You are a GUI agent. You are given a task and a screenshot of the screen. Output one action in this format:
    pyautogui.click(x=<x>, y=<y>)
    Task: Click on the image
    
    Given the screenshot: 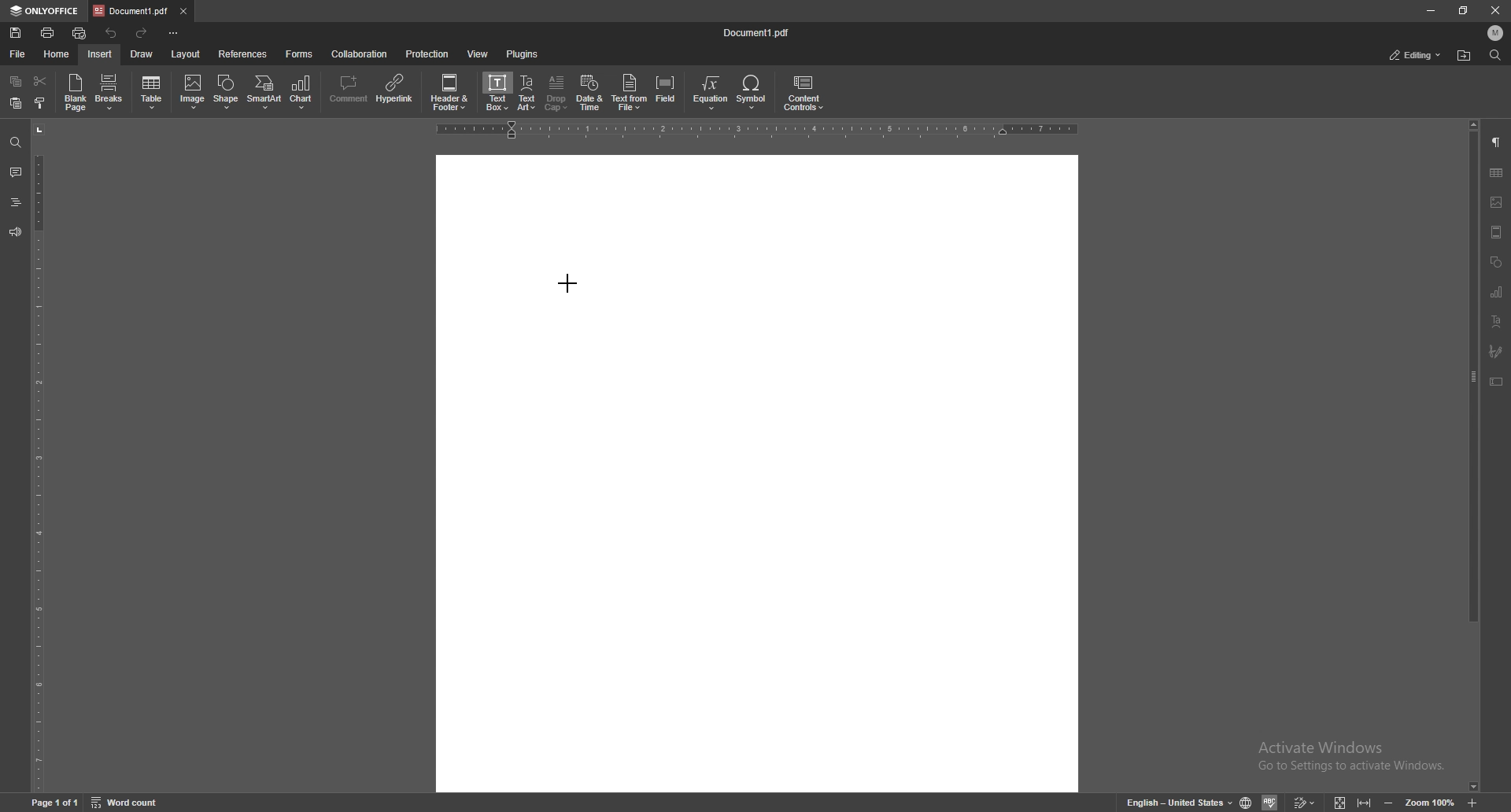 What is the action you would take?
    pyautogui.click(x=193, y=91)
    